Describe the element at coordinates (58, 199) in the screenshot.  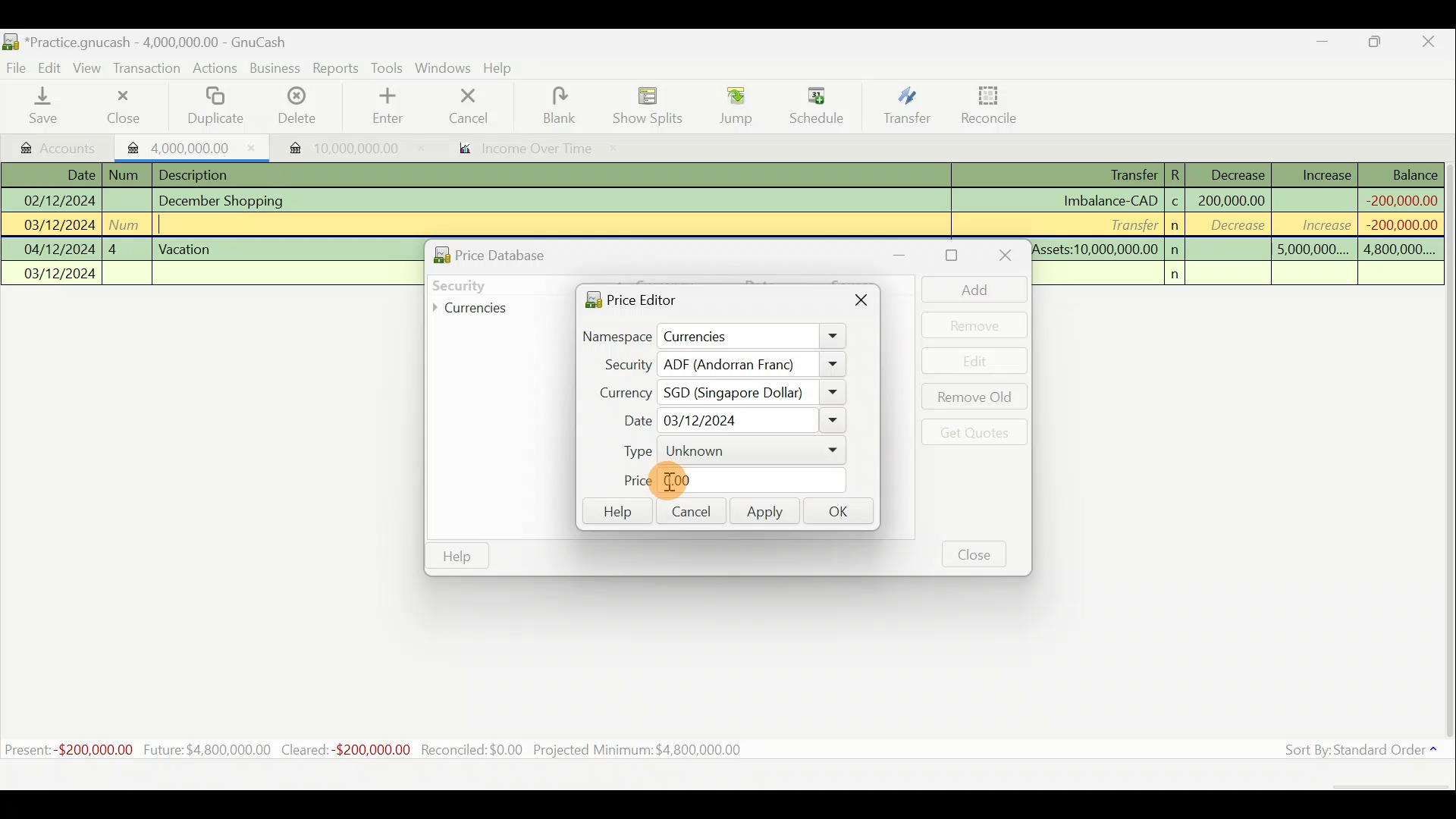
I see `02/12/2024` at that location.